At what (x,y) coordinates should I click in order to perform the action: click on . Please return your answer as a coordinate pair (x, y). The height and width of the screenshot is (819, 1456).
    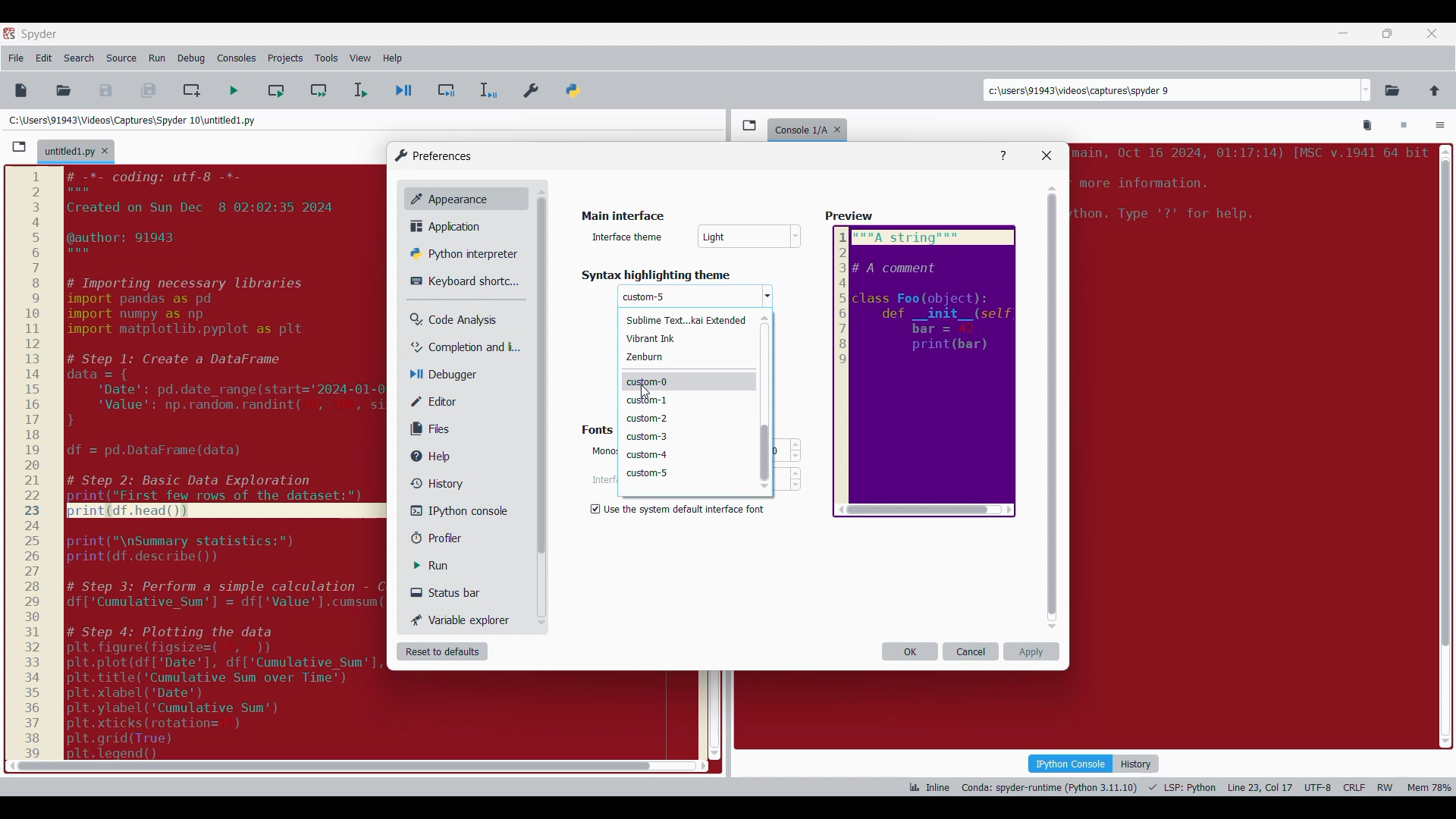
    Looking at the image, I should click on (601, 450).